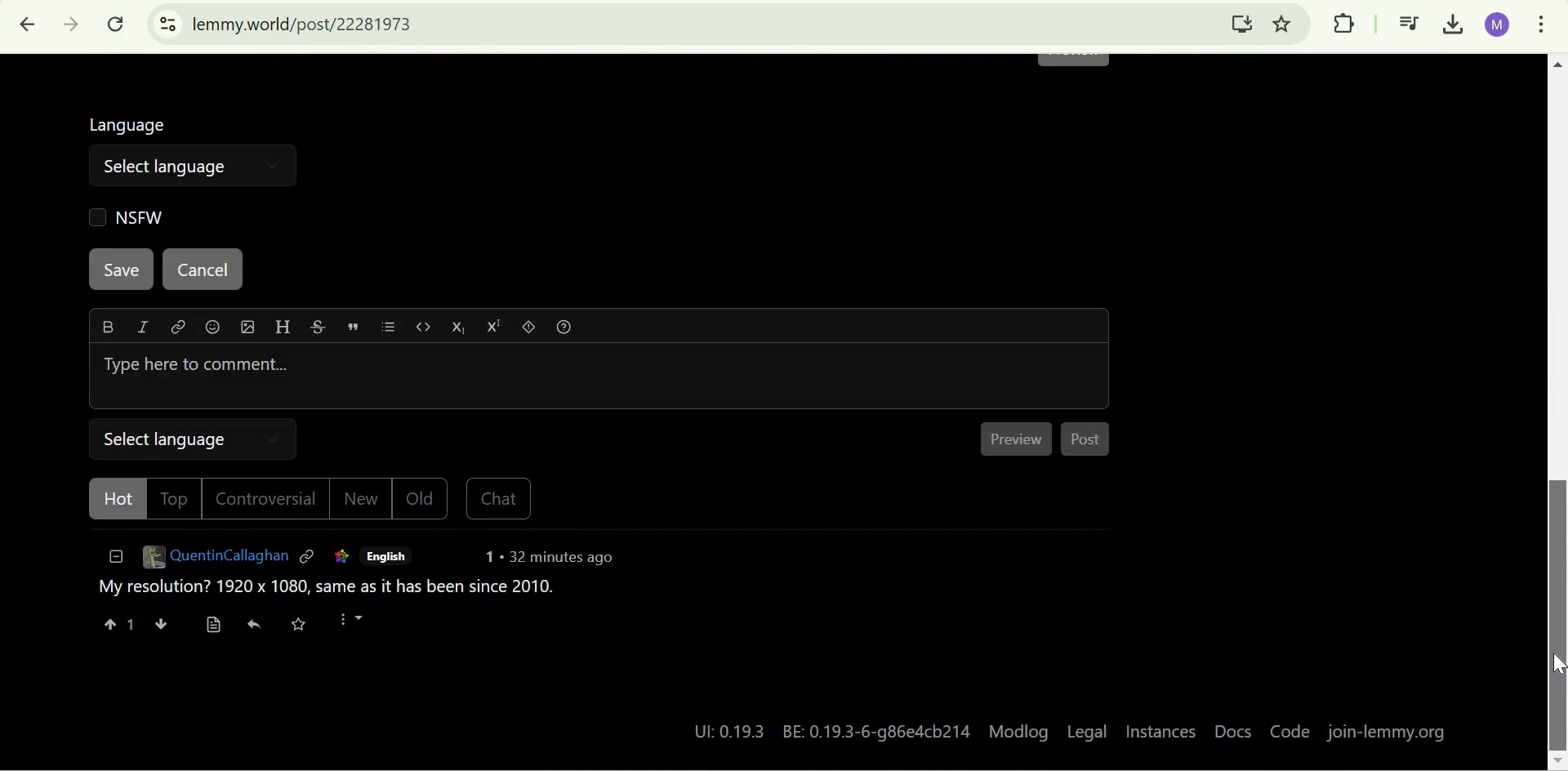 The width and height of the screenshot is (1568, 771). What do you see at coordinates (394, 329) in the screenshot?
I see `list` at bounding box center [394, 329].